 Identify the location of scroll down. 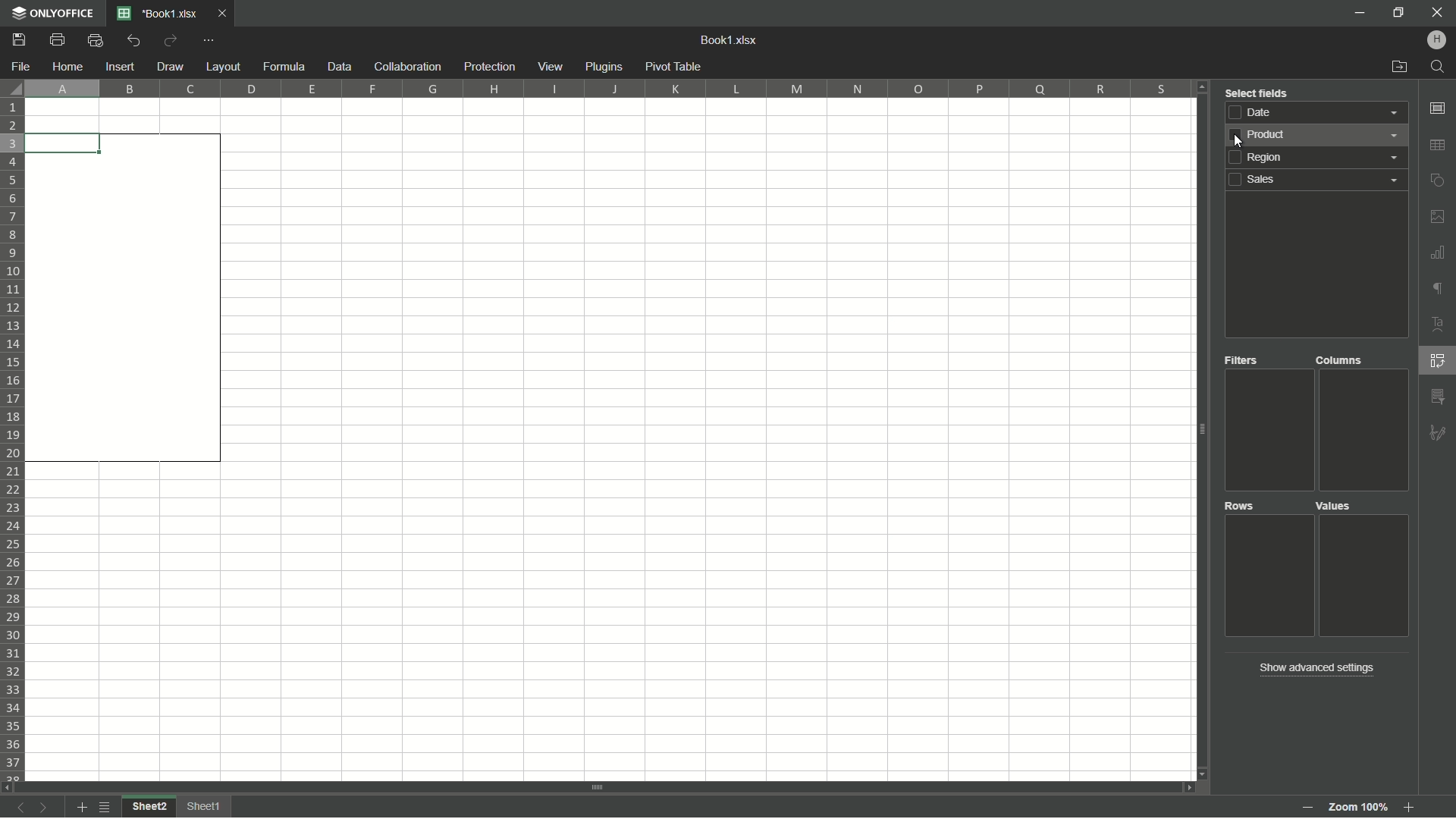
(1200, 774).